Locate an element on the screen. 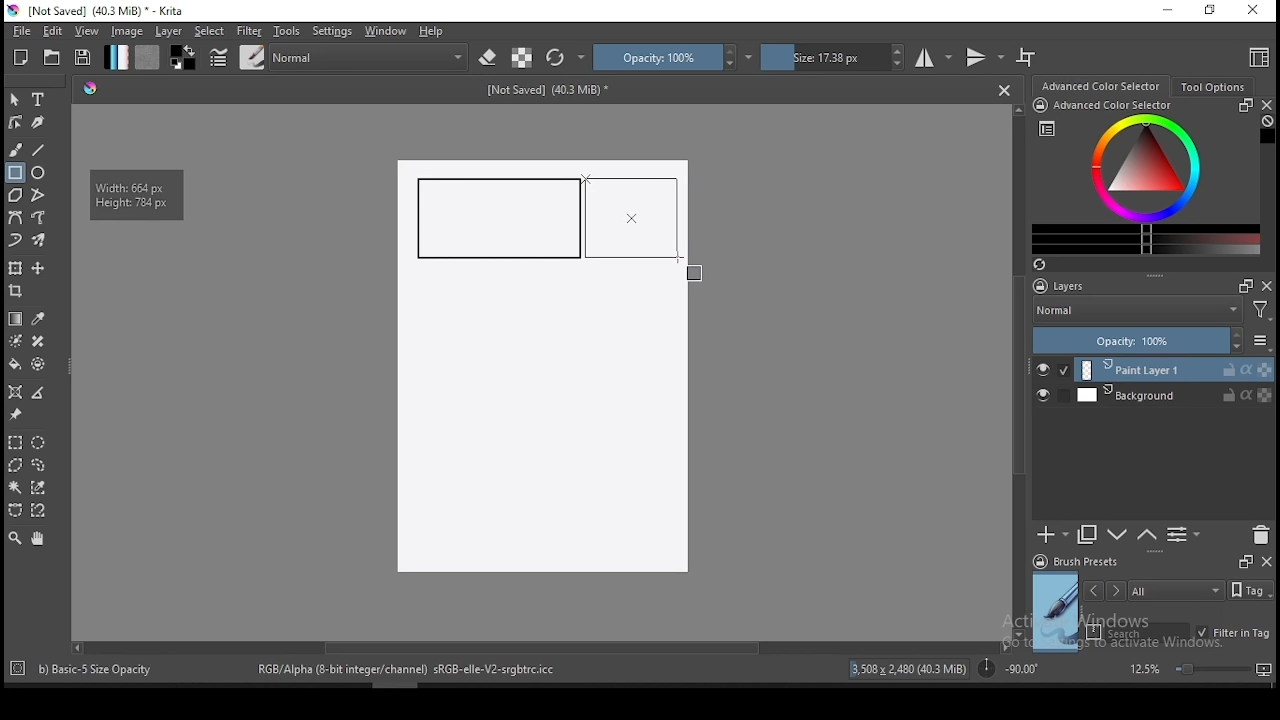  layer is located at coordinates (1175, 370).